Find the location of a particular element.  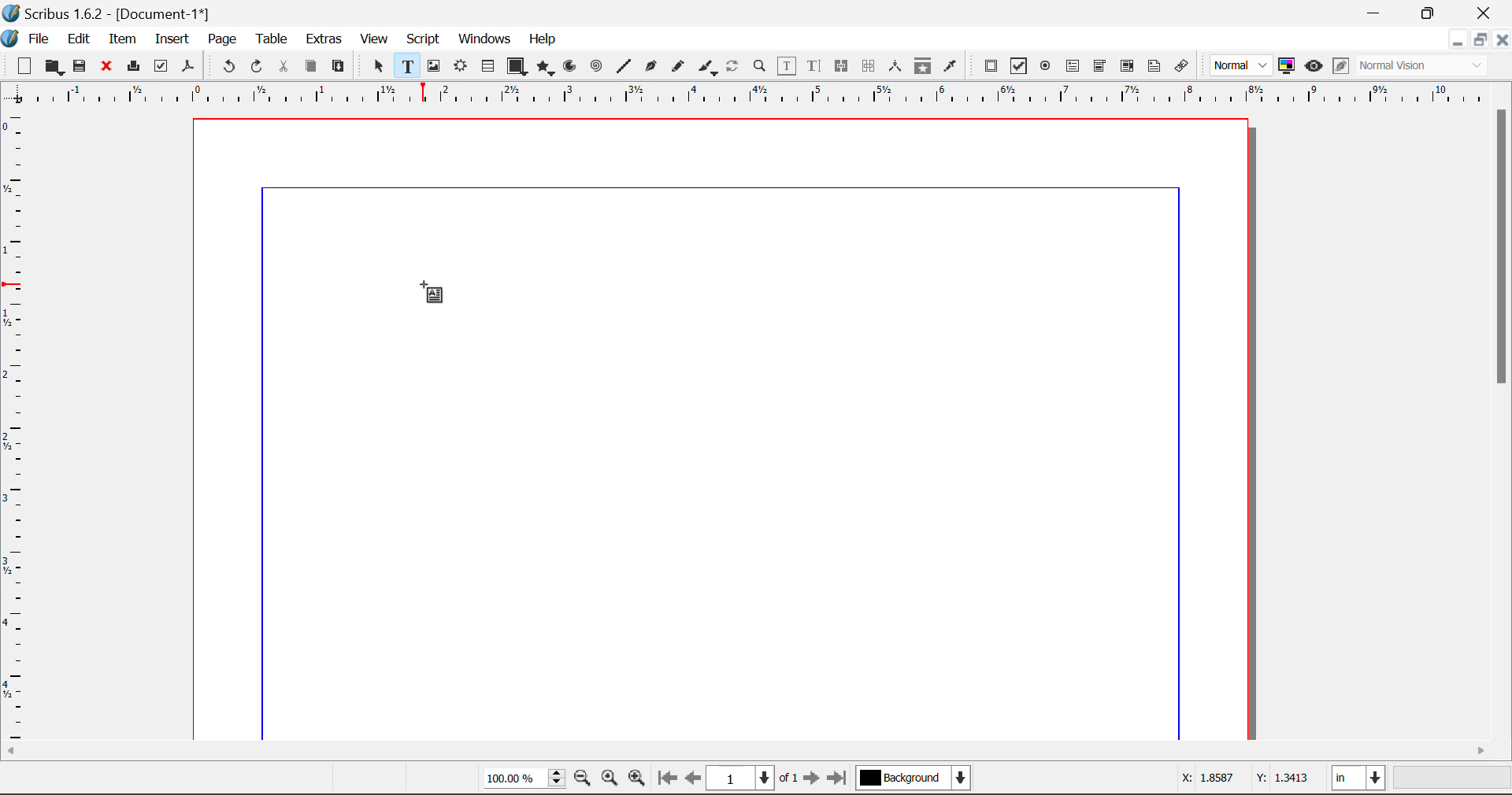

New is located at coordinates (23, 66).